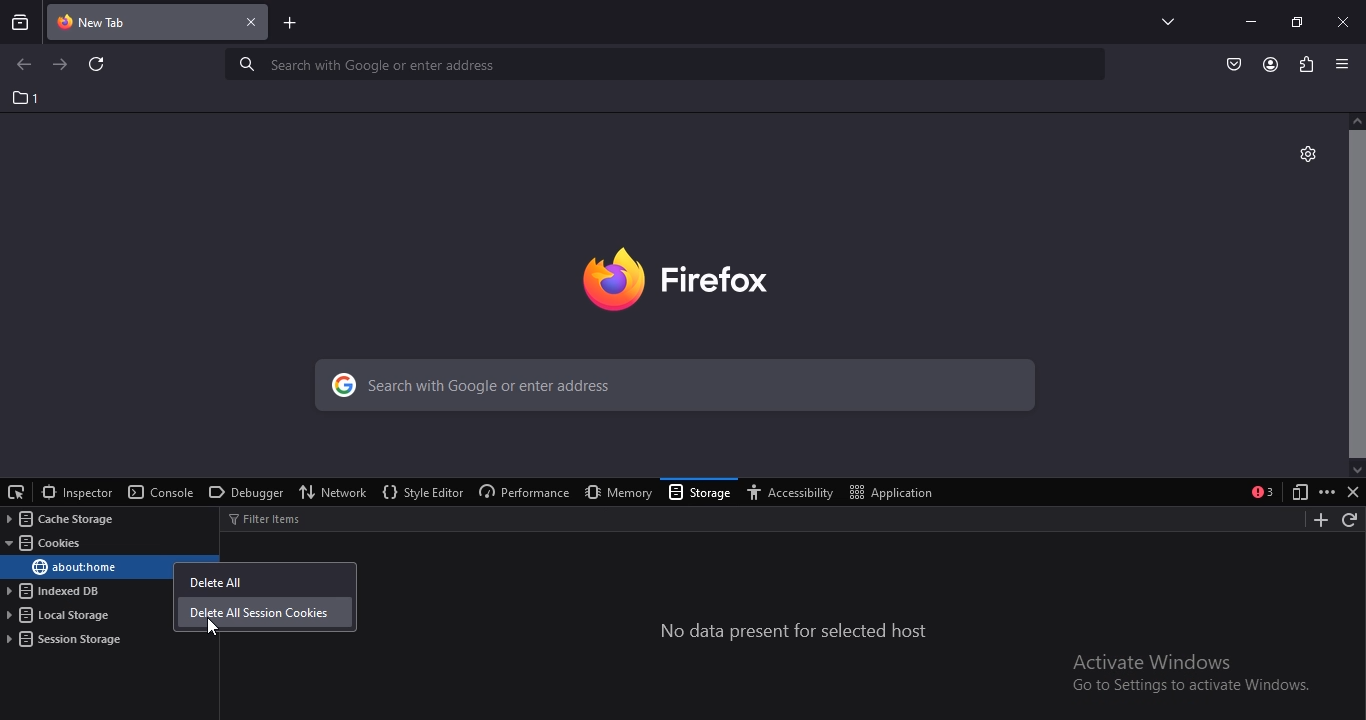 Image resolution: width=1366 pixels, height=720 pixels. Describe the element at coordinates (57, 519) in the screenshot. I see `cache storage` at that location.